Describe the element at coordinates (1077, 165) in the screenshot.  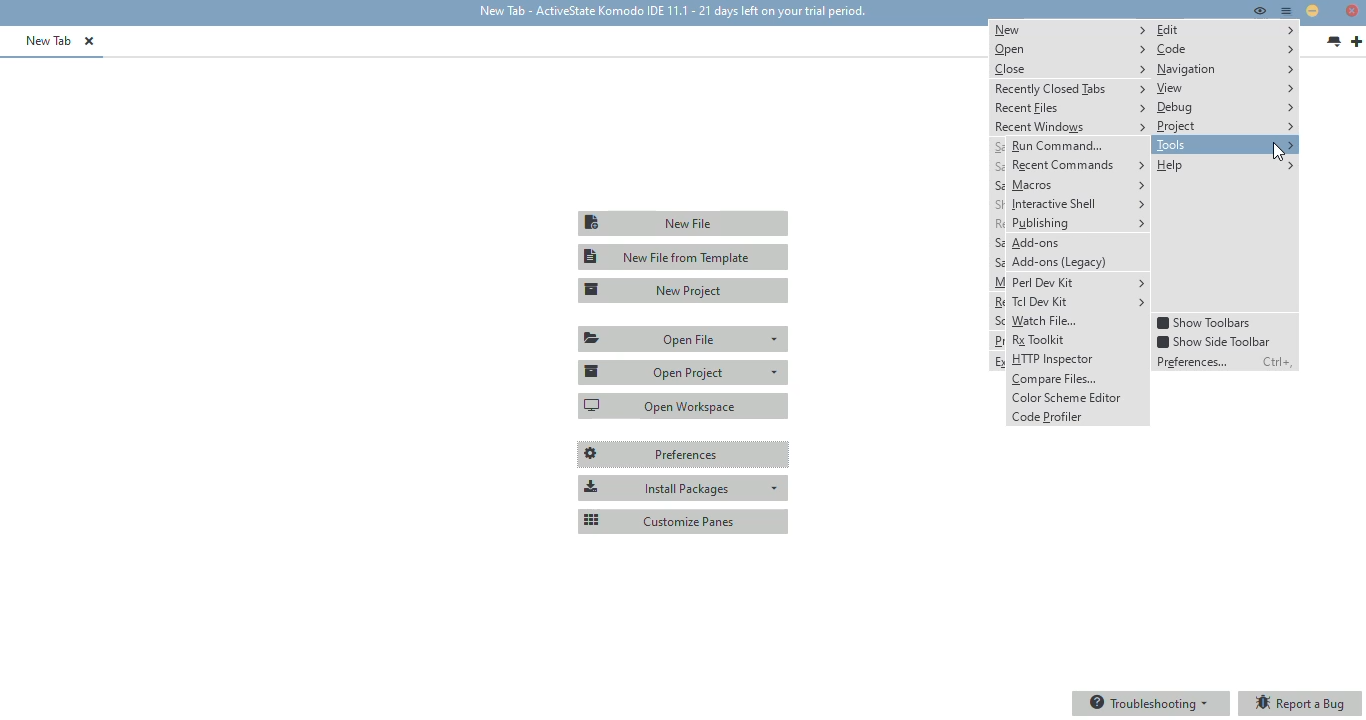
I see `Recent Commands` at that location.